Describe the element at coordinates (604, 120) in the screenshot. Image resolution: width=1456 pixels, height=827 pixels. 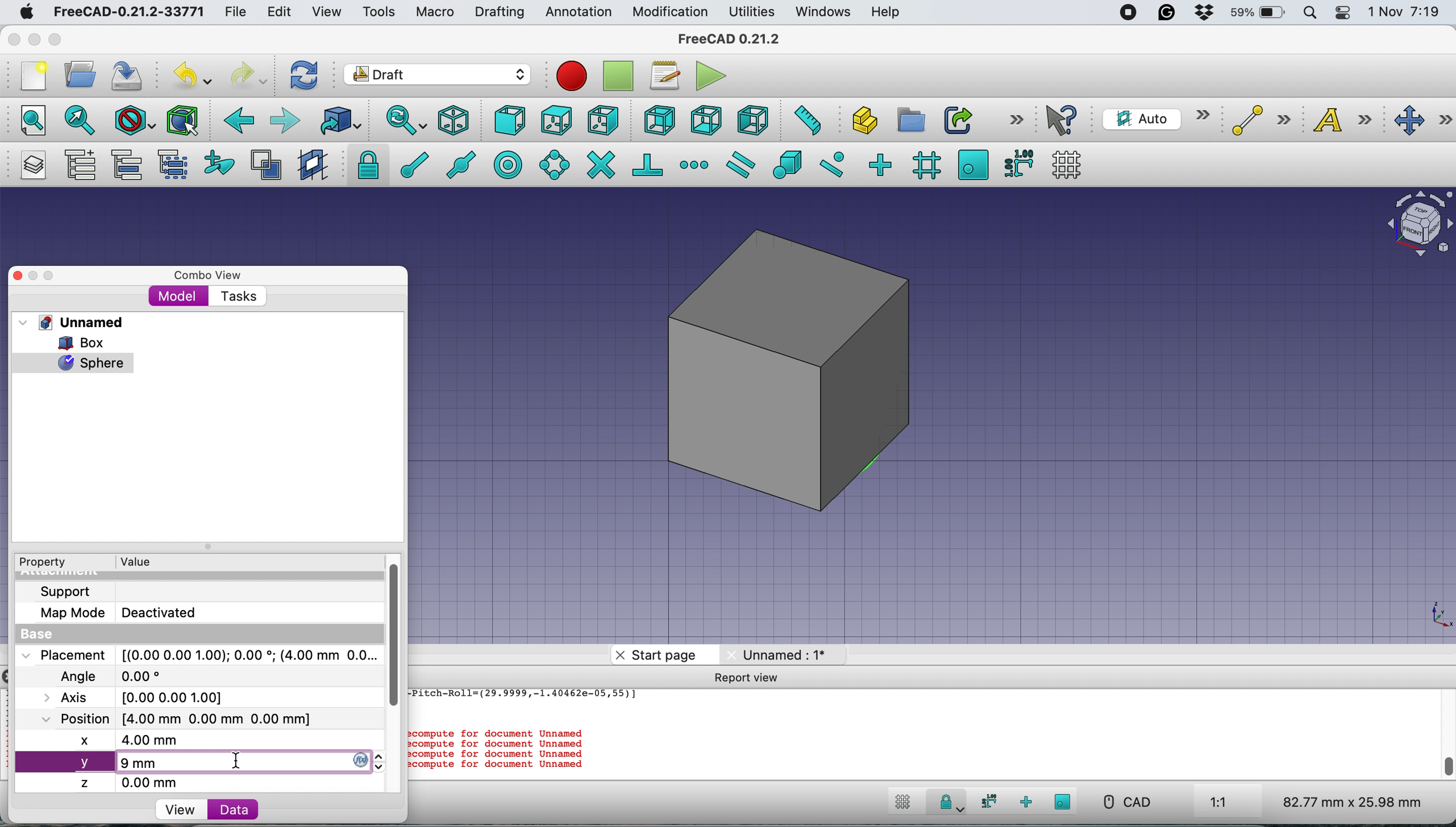
I see `right` at that location.